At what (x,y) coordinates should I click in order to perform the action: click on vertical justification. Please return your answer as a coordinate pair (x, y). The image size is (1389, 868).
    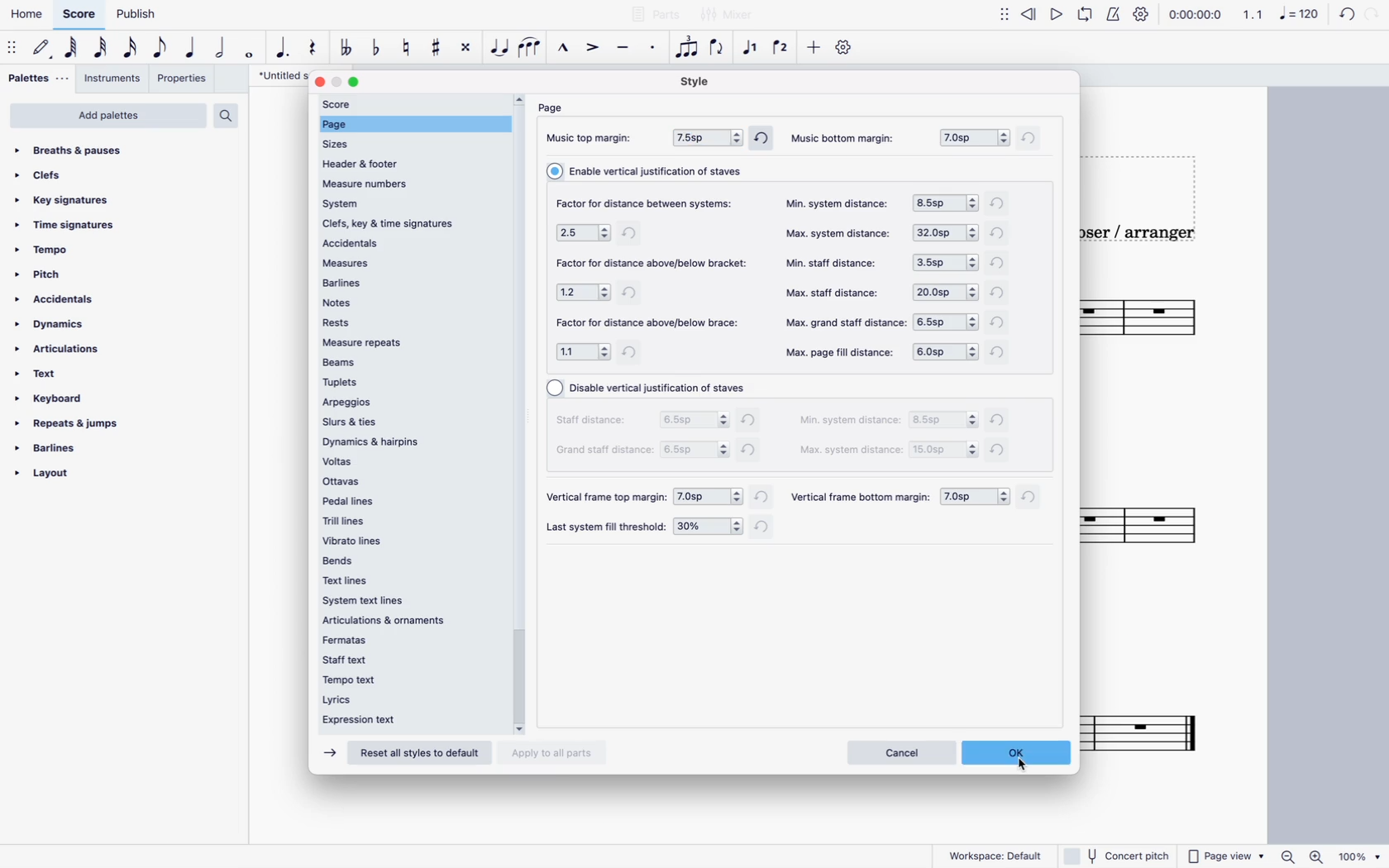
    Looking at the image, I should click on (652, 389).